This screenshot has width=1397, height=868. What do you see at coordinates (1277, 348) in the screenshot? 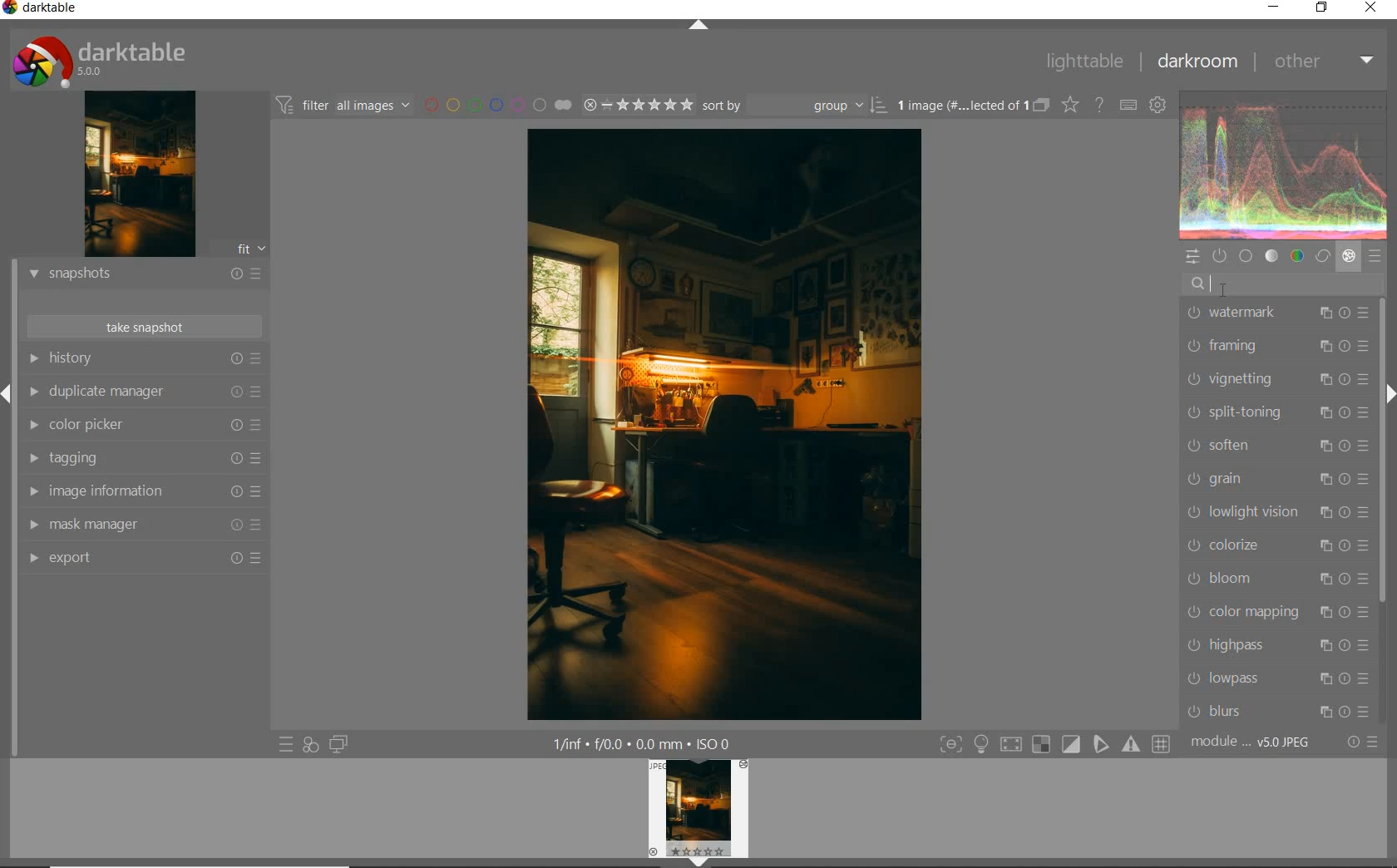
I see `framing` at bounding box center [1277, 348].